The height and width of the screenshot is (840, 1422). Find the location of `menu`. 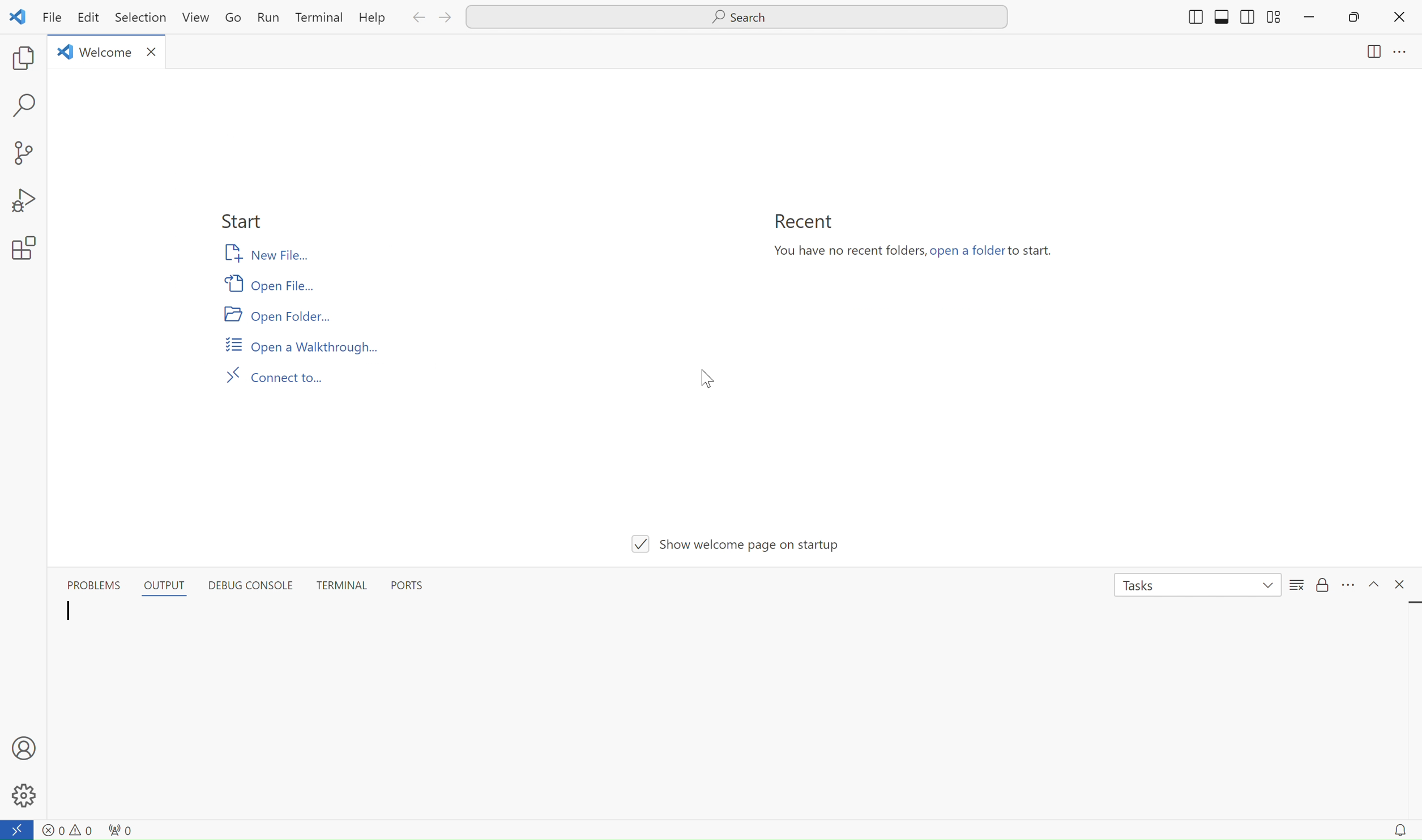

menu is located at coordinates (1293, 589).